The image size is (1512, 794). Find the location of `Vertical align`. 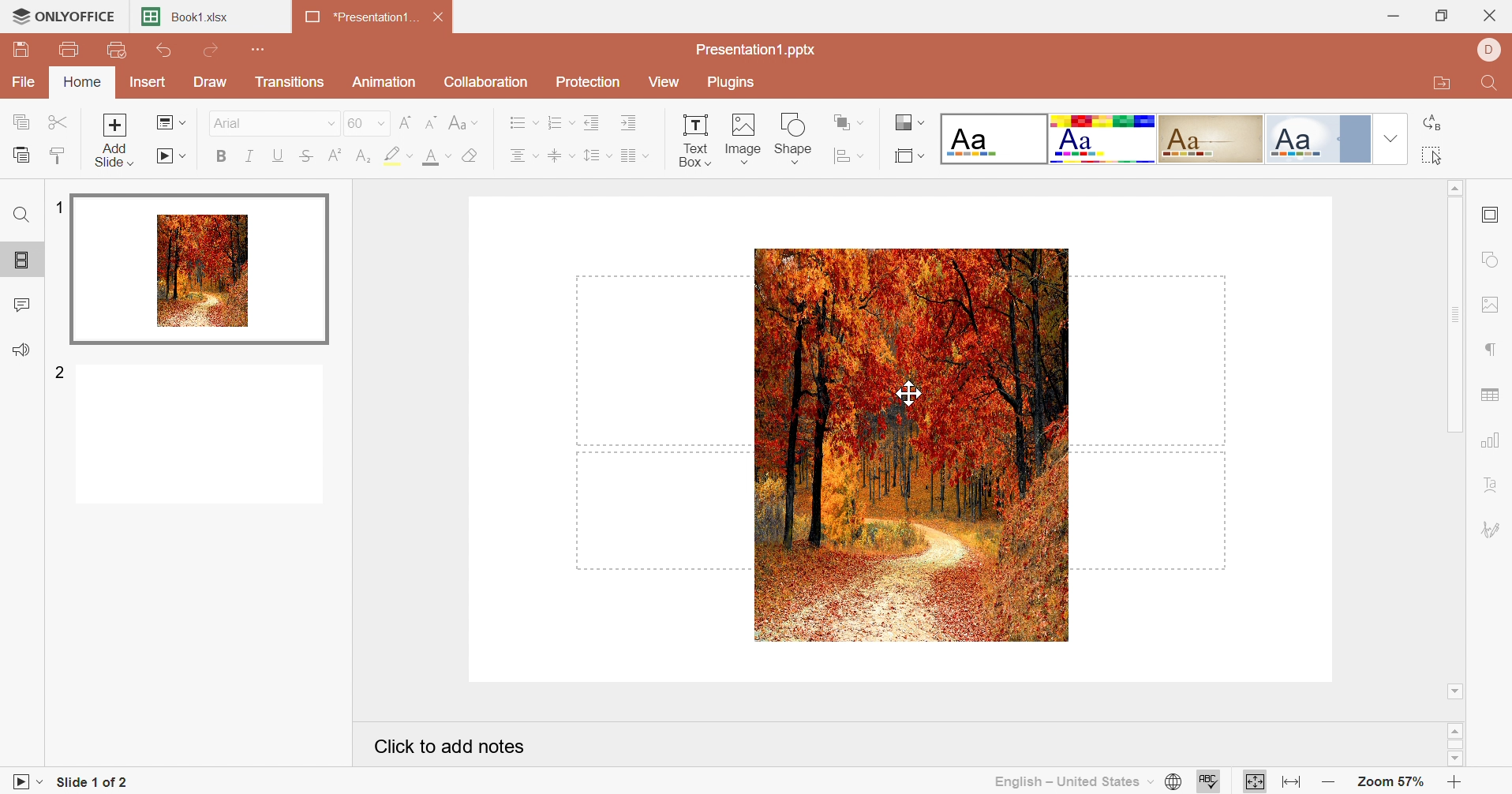

Vertical align is located at coordinates (557, 156).